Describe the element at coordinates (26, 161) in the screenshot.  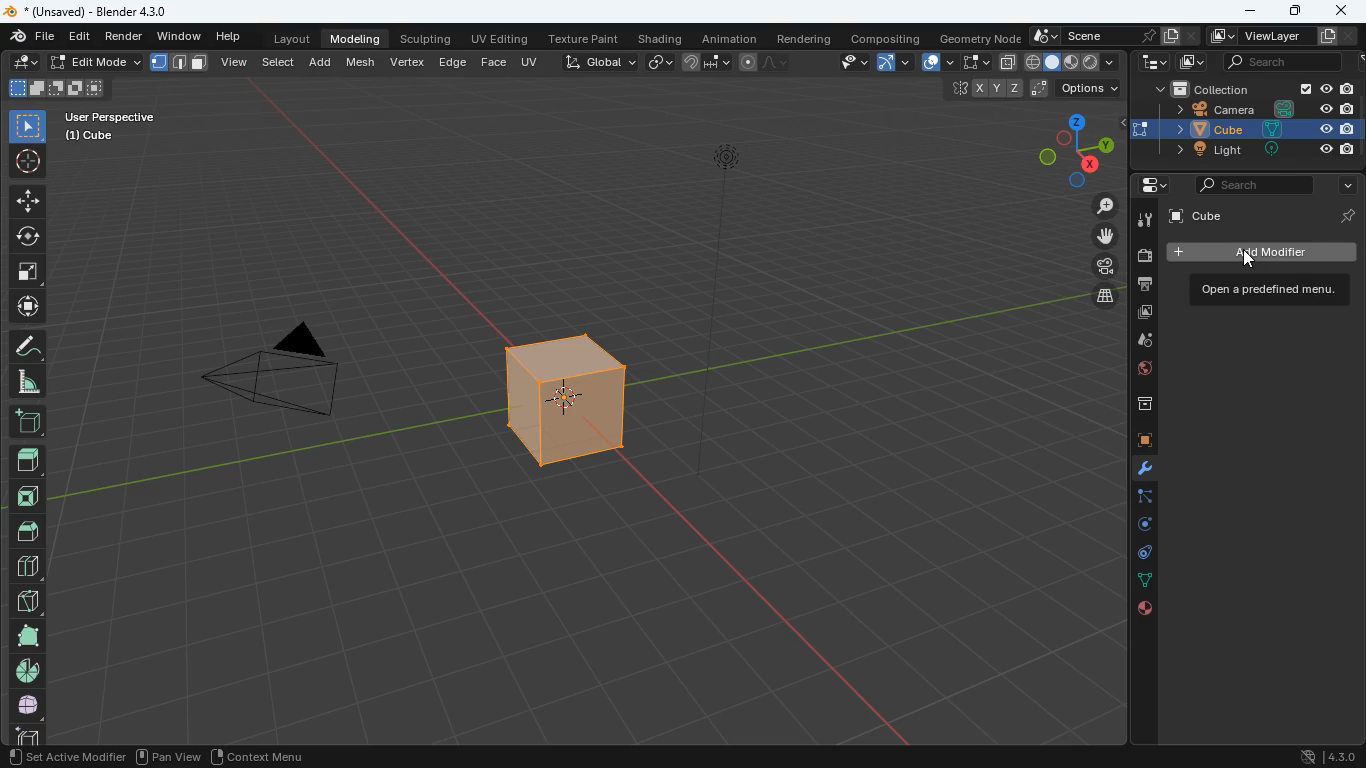
I see `aim` at that location.